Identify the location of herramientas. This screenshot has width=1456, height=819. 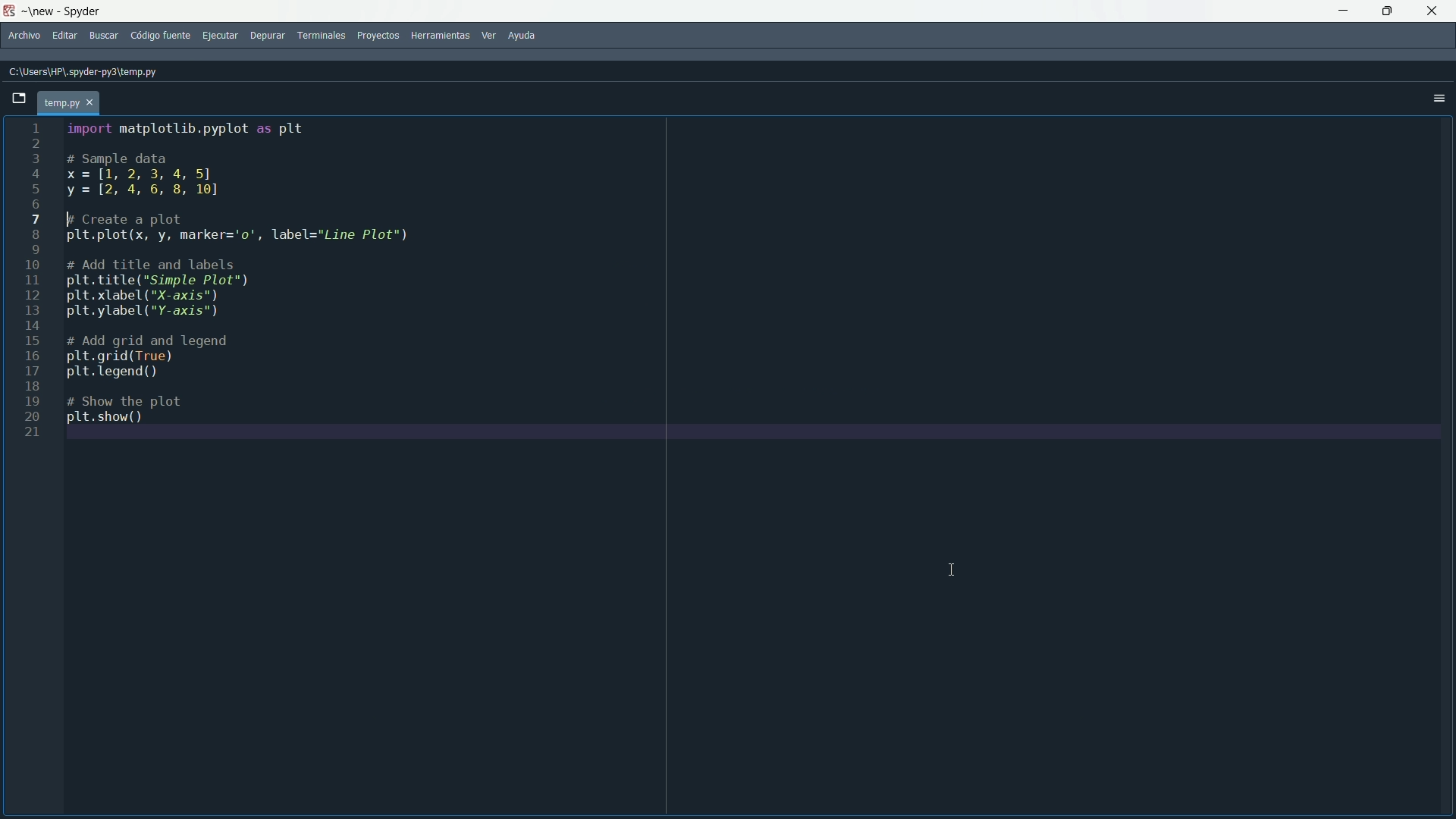
(441, 36).